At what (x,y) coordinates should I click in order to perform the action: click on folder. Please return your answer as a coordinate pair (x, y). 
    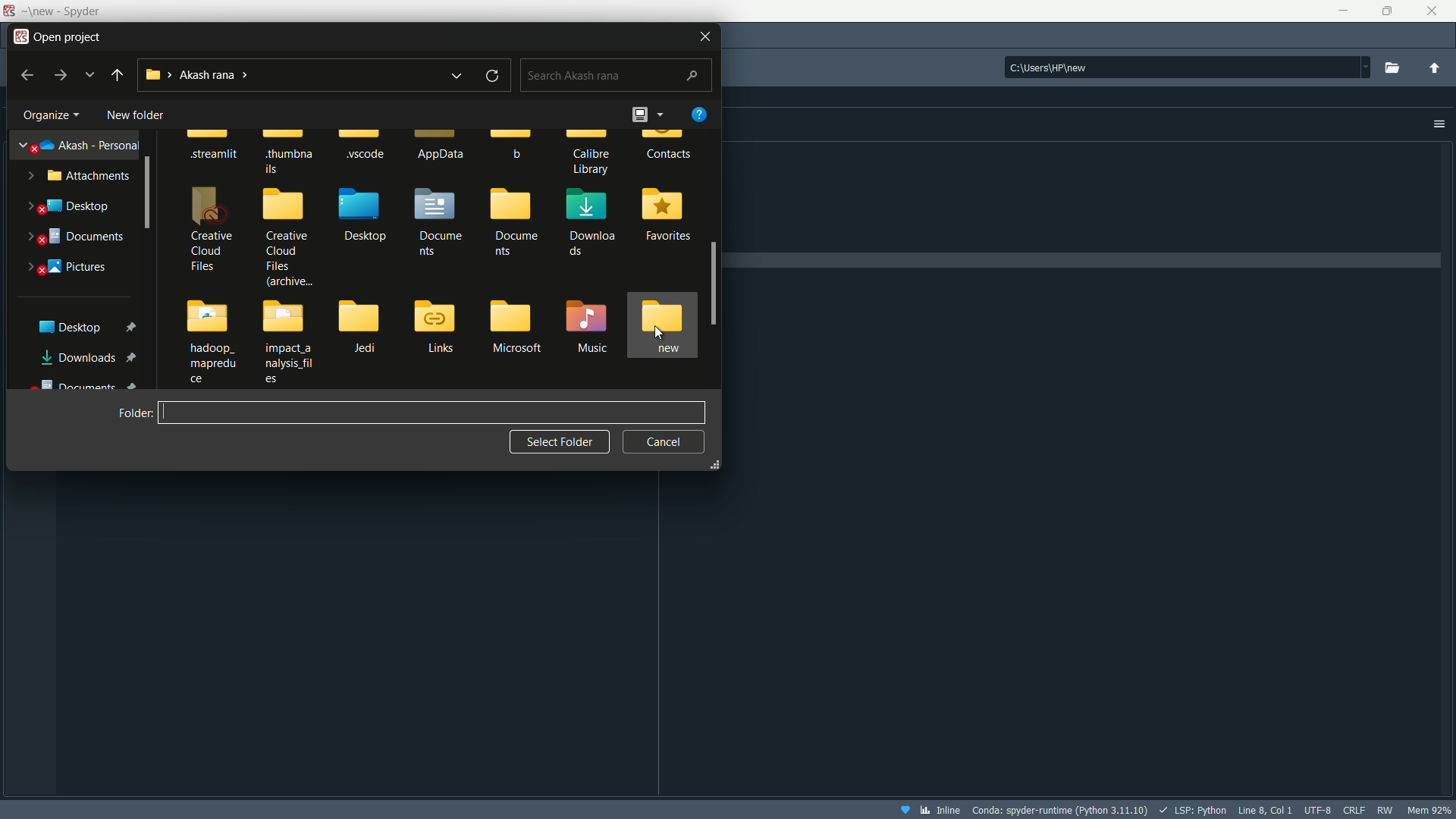
    Looking at the image, I should click on (134, 412).